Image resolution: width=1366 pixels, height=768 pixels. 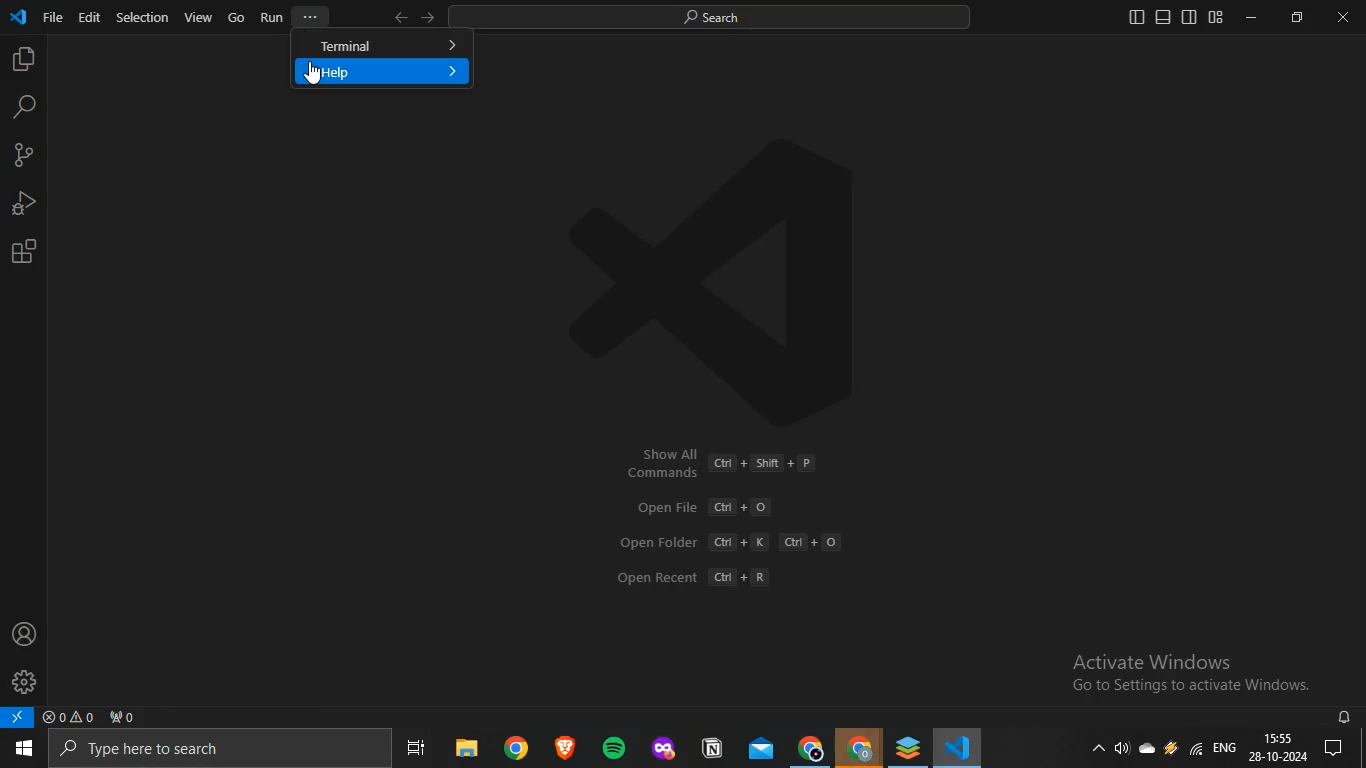 What do you see at coordinates (722, 18) in the screenshot?
I see `search` at bounding box center [722, 18].